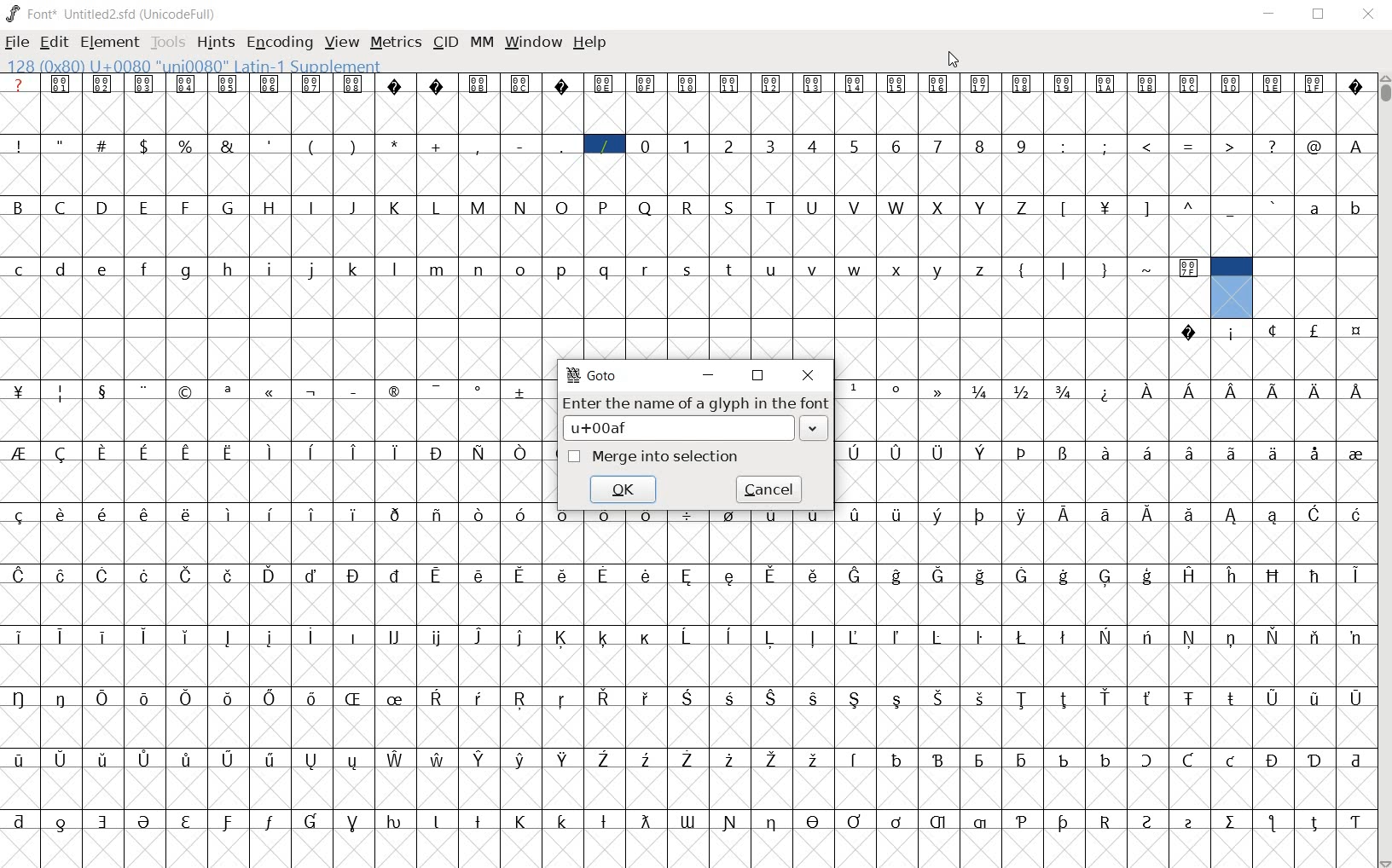 The image size is (1392, 868). I want to click on Symbol, so click(646, 84).